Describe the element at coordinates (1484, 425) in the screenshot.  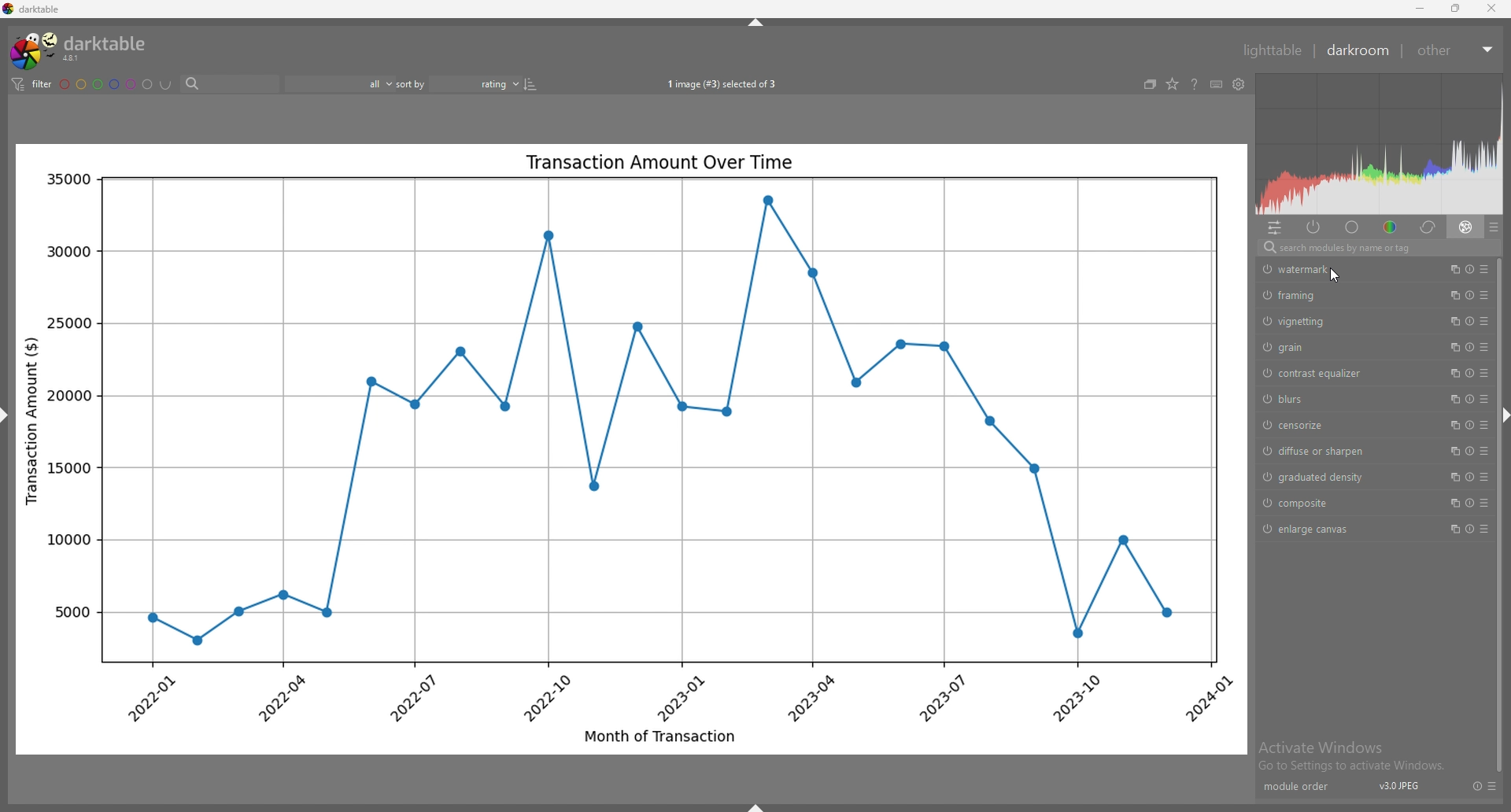
I see `presets` at that location.